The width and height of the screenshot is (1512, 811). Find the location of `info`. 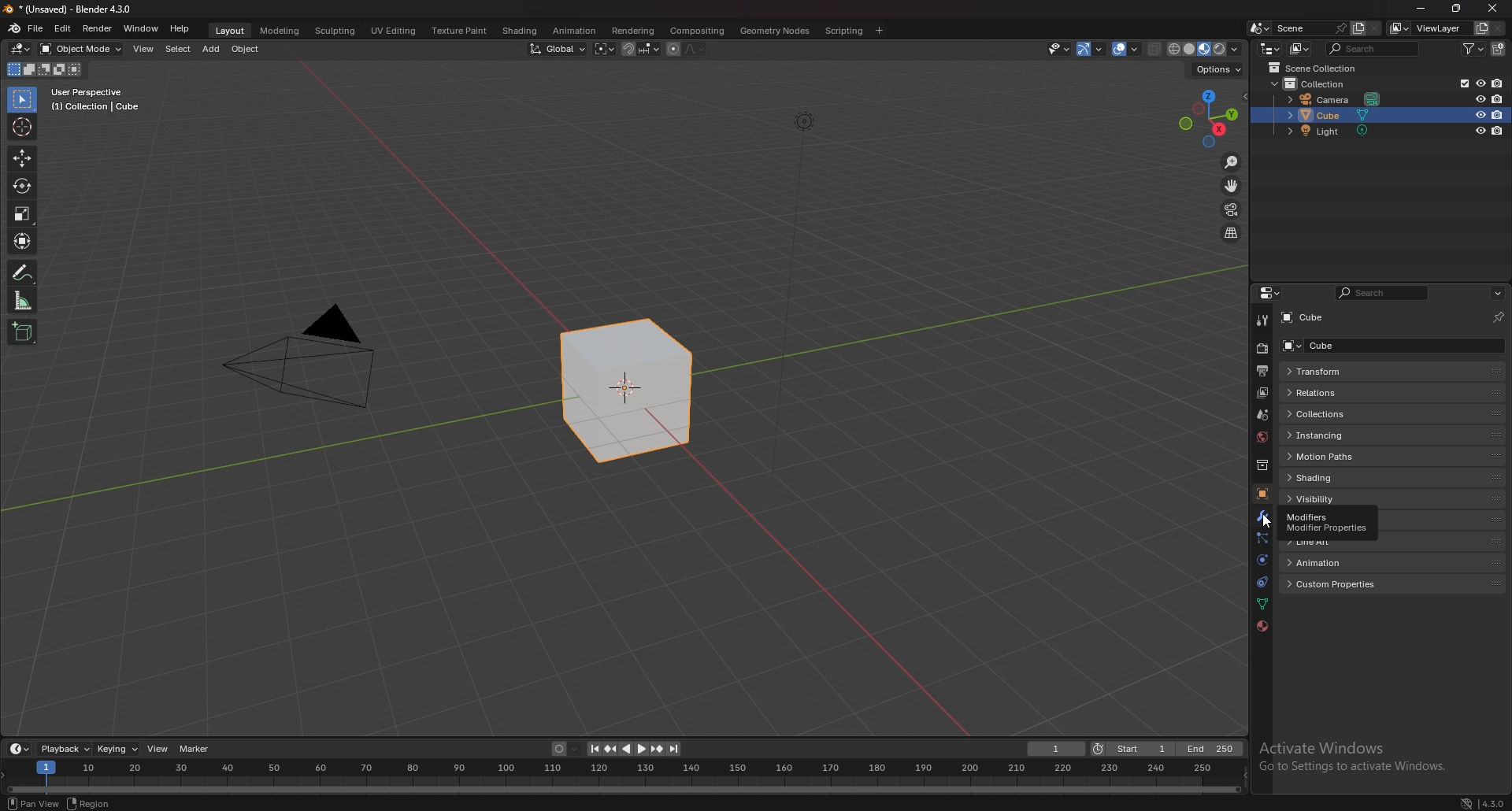

info is located at coordinates (98, 99).